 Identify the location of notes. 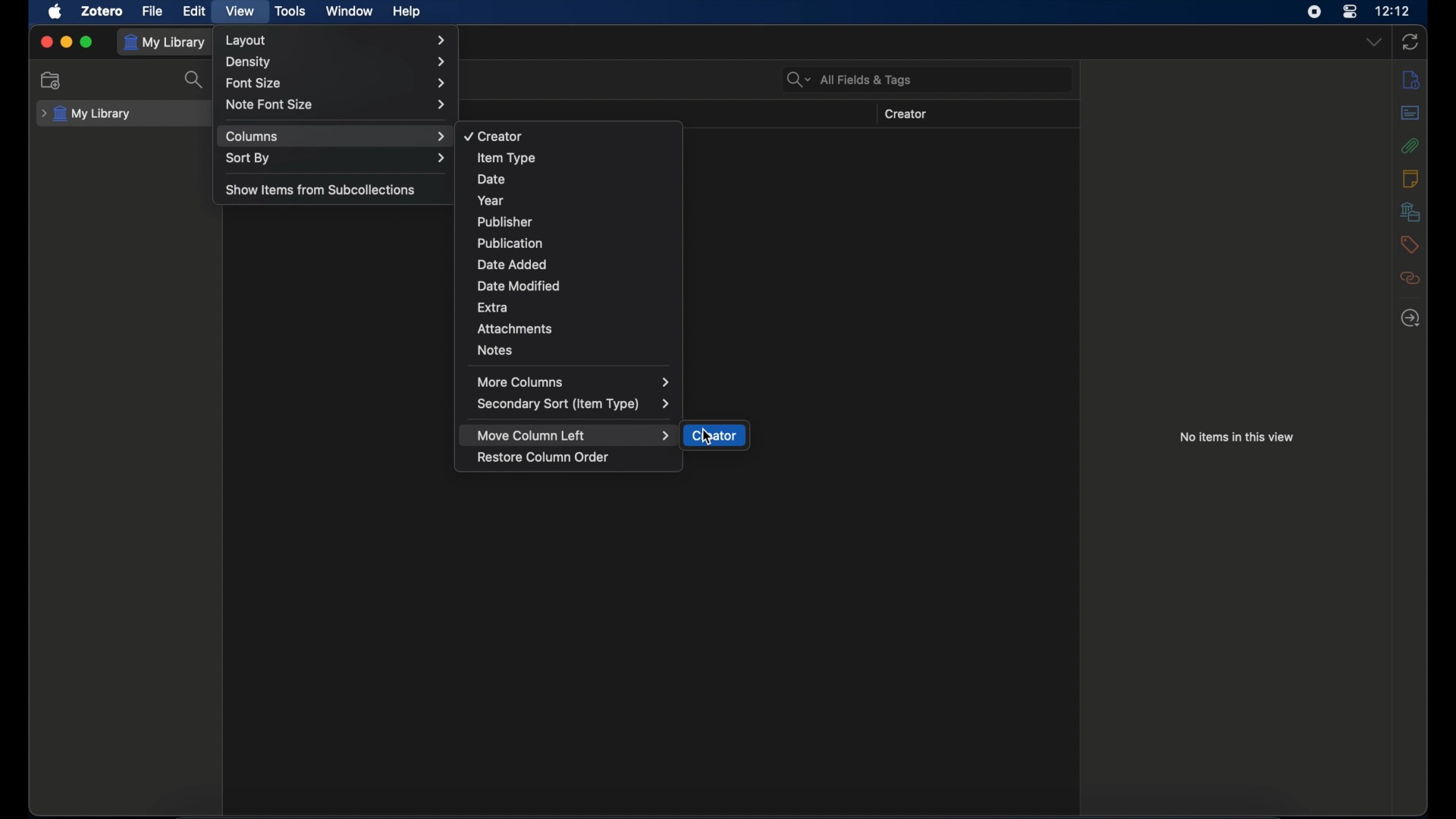
(1410, 177).